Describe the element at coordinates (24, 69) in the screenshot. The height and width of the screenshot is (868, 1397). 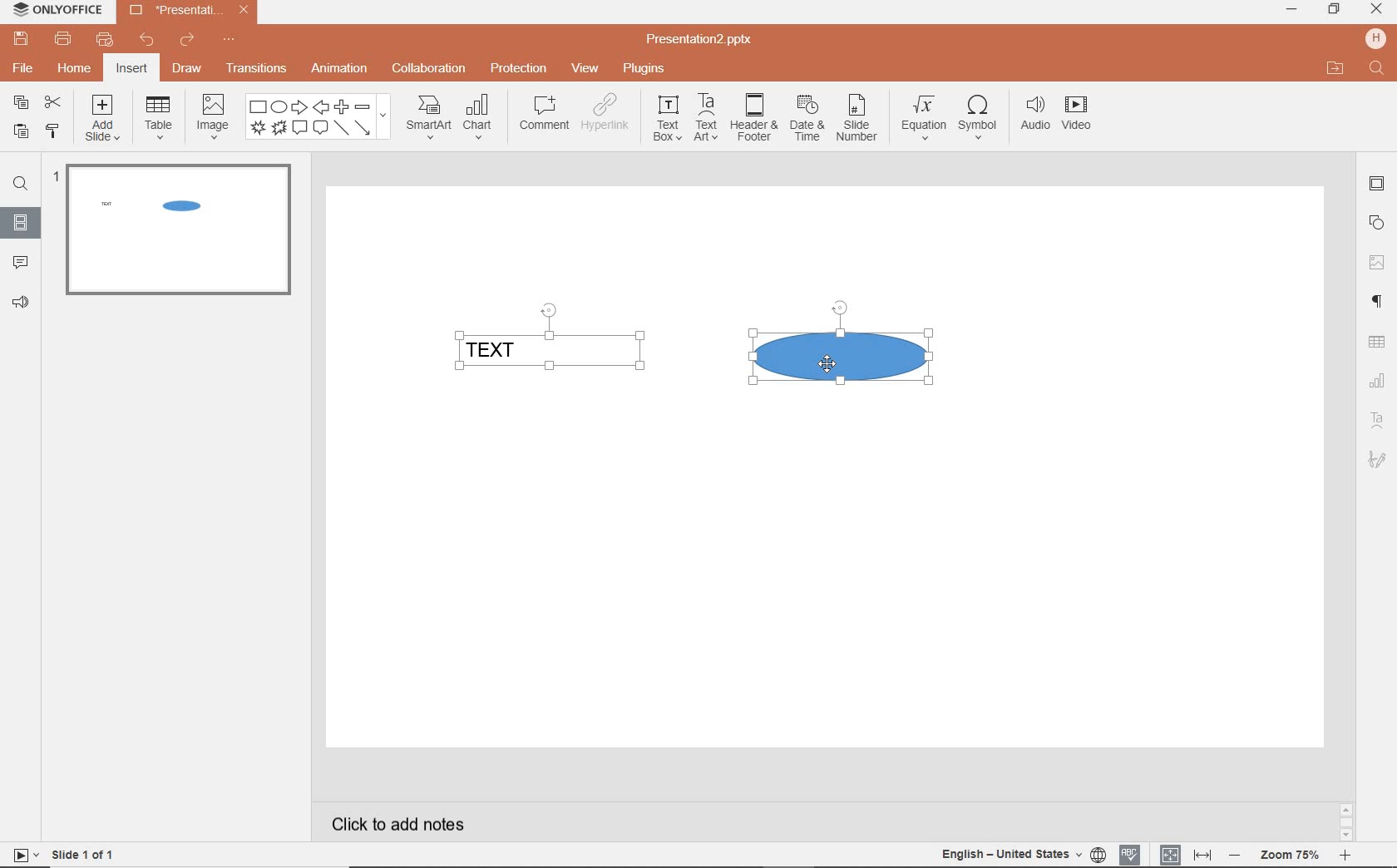
I see `file` at that location.